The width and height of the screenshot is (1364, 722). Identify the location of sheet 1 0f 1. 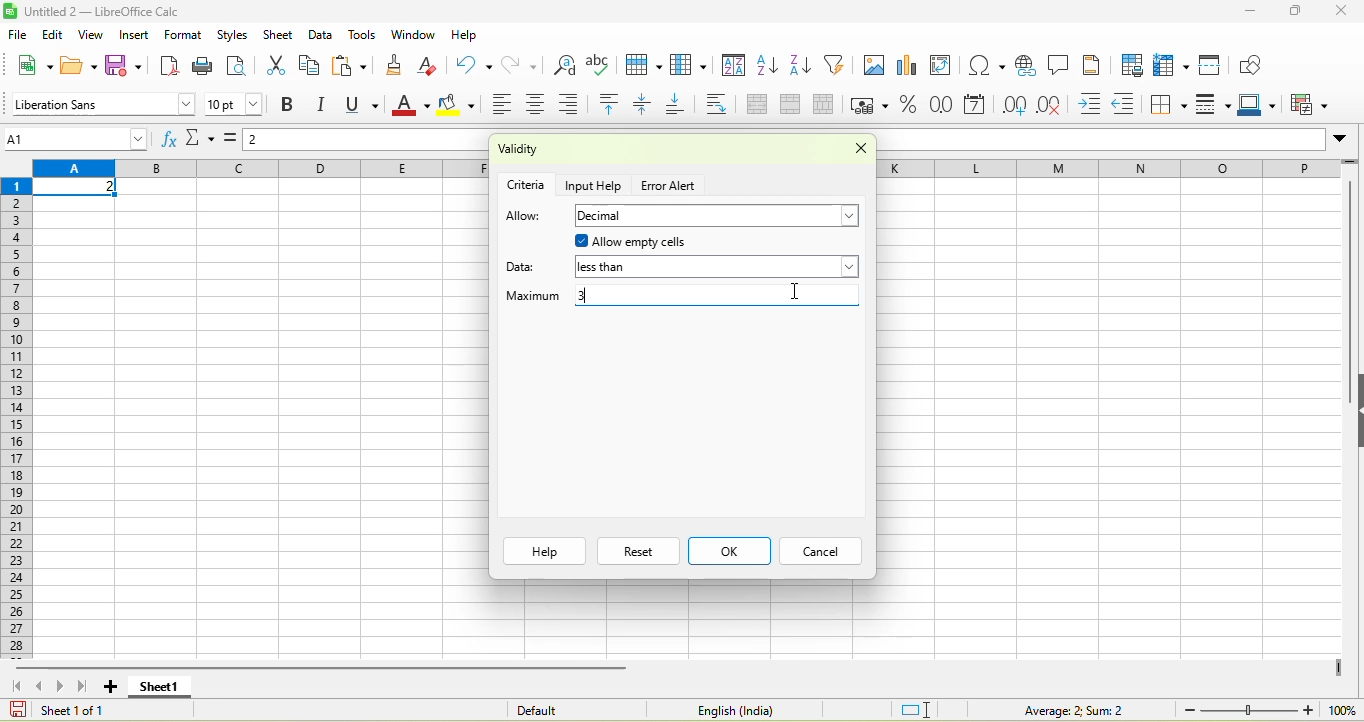
(68, 710).